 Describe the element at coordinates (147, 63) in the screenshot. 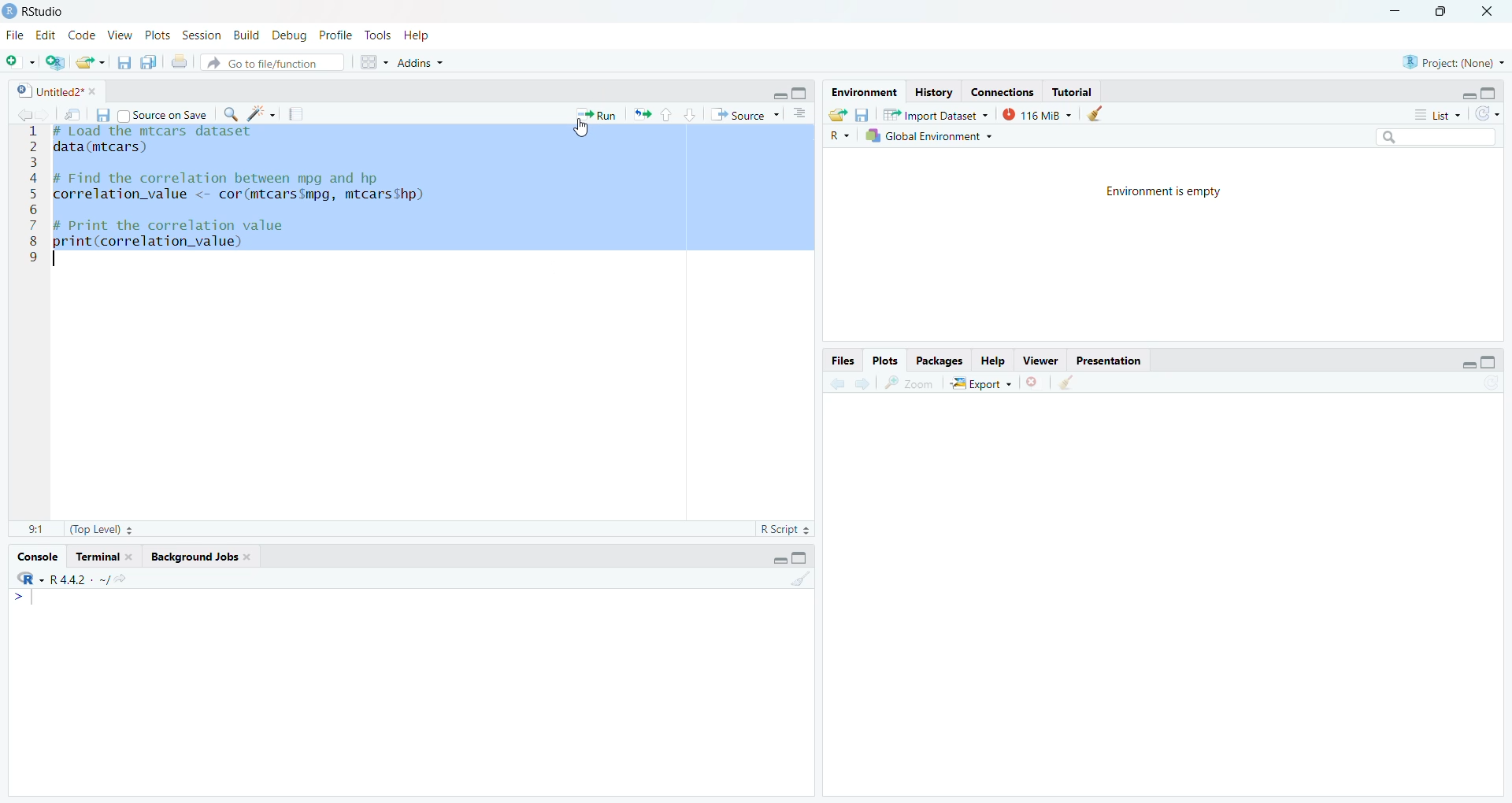

I see `Save all open documents (Ctrl + Alt + S)` at that location.